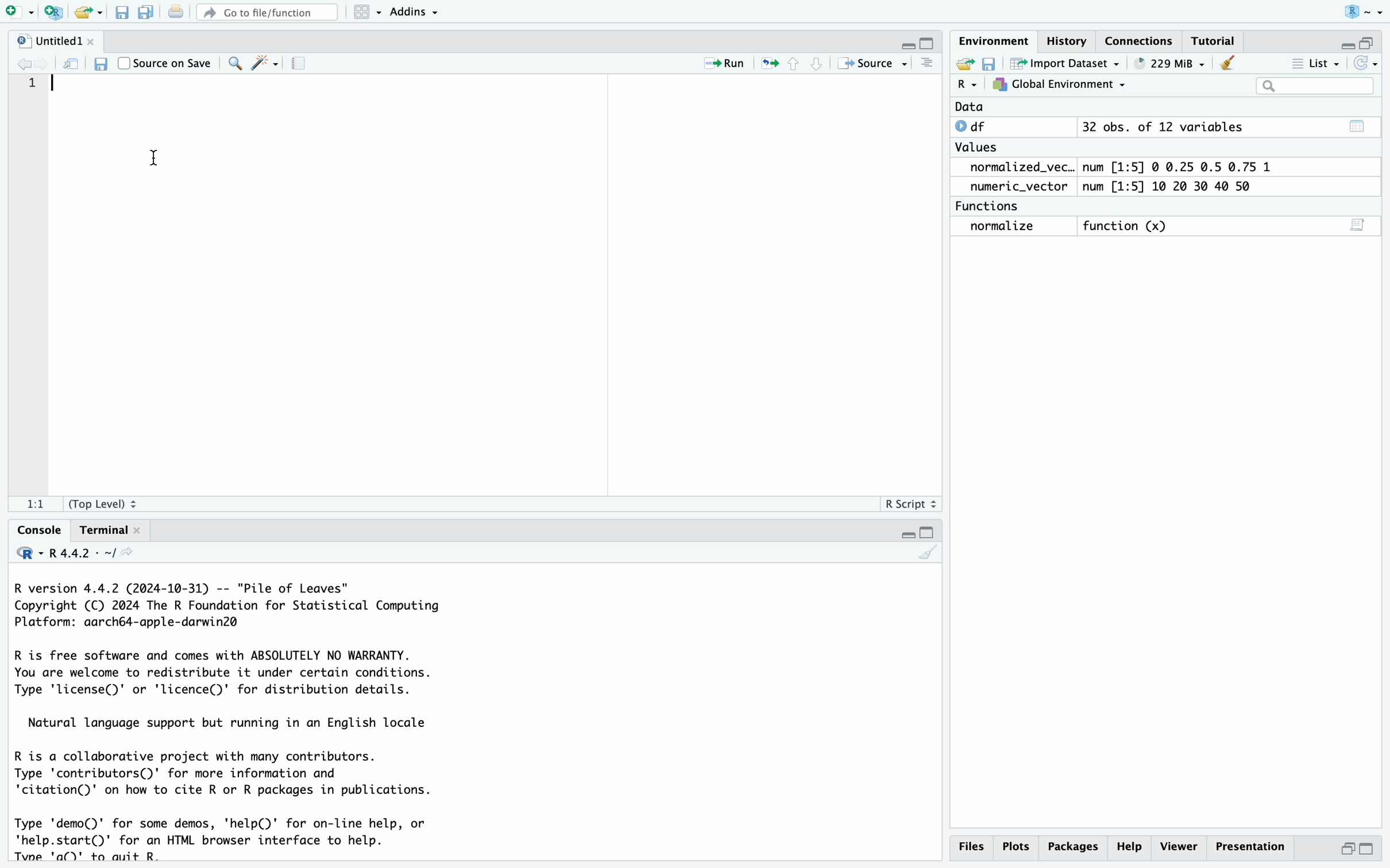 Image resolution: width=1390 pixels, height=868 pixels. What do you see at coordinates (868, 65) in the screenshot?
I see `Source` at bounding box center [868, 65].